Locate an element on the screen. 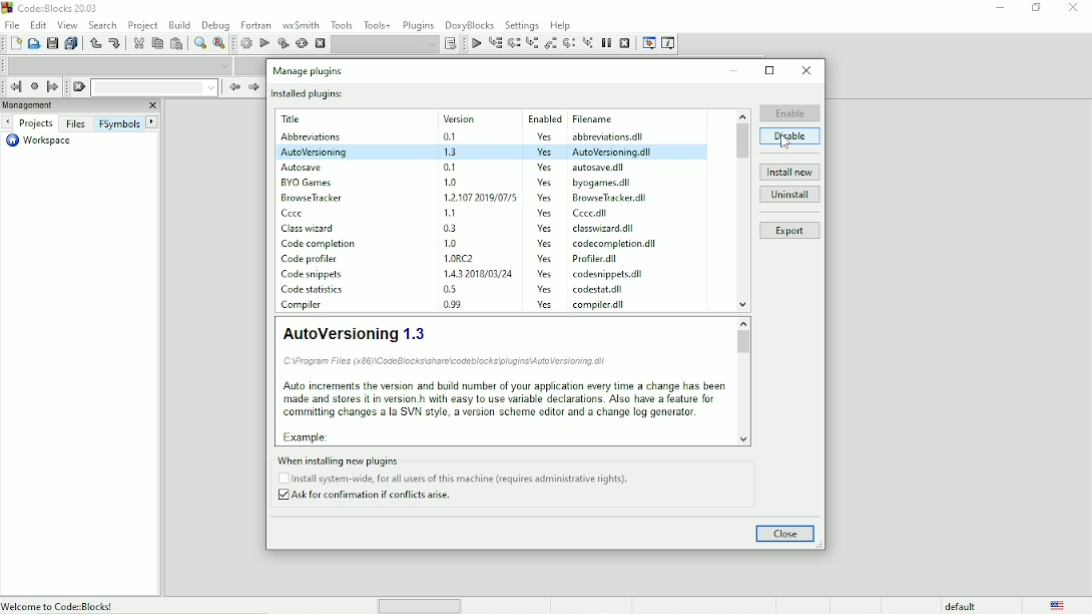  When installing new plugins is located at coordinates (446, 459).